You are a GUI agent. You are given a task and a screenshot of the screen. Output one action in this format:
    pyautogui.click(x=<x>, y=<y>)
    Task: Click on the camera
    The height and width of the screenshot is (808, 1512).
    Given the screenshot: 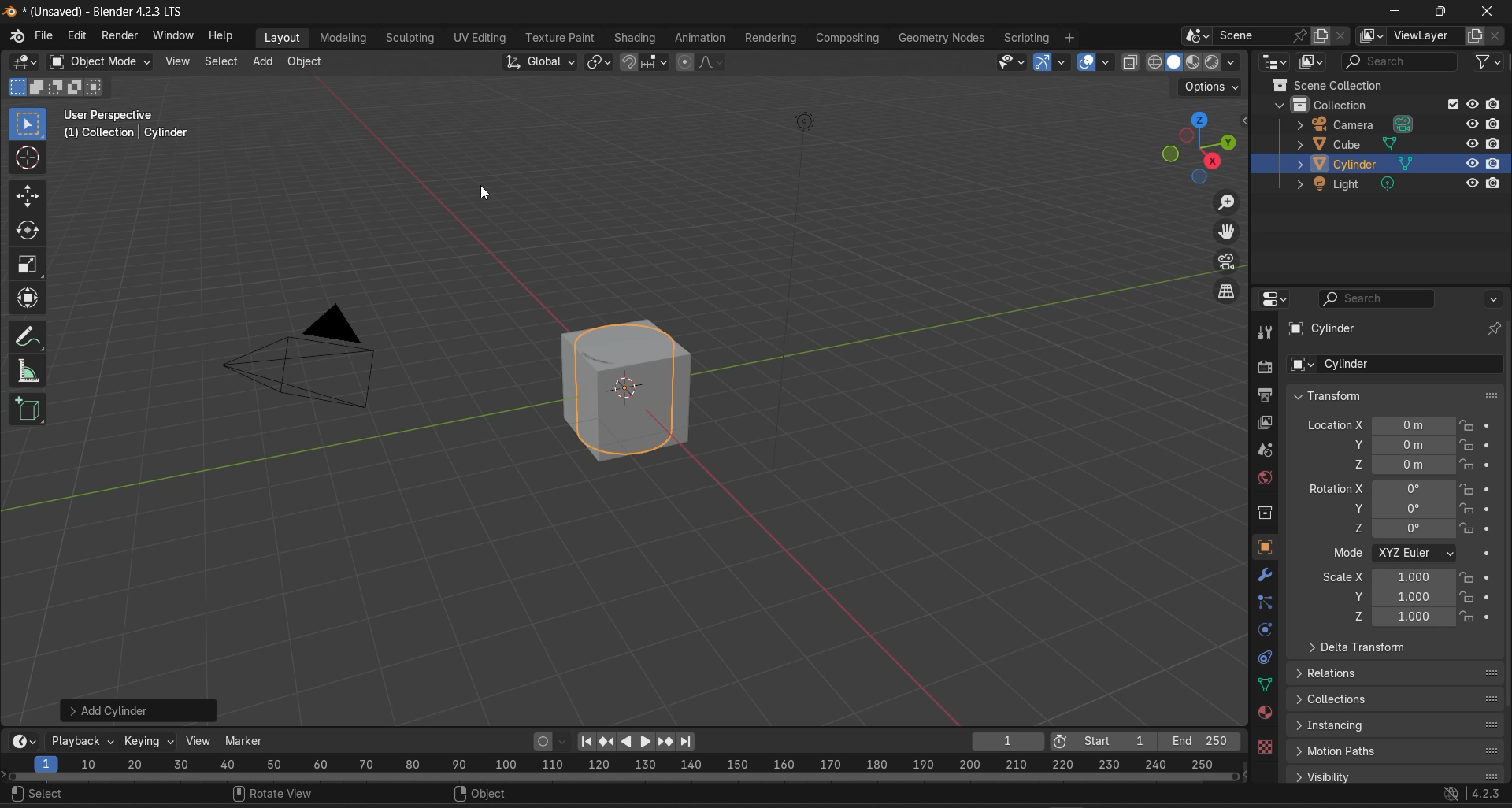 What is the action you would take?
    pyautogui.click(x=1358, y=123)
    